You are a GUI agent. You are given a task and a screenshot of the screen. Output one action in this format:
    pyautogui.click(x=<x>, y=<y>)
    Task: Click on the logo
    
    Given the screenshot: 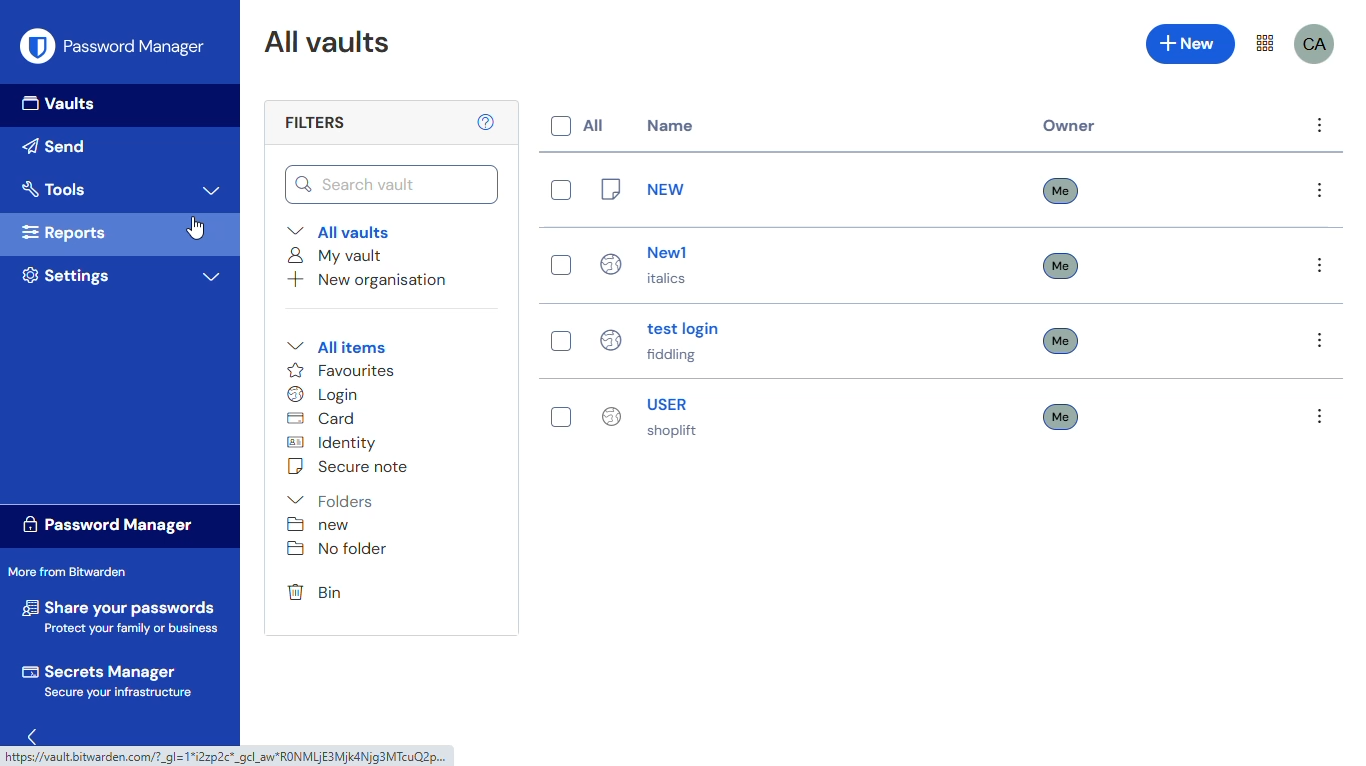 What is the action you would take?
    pyautogui.click(x=38, y=46)
    